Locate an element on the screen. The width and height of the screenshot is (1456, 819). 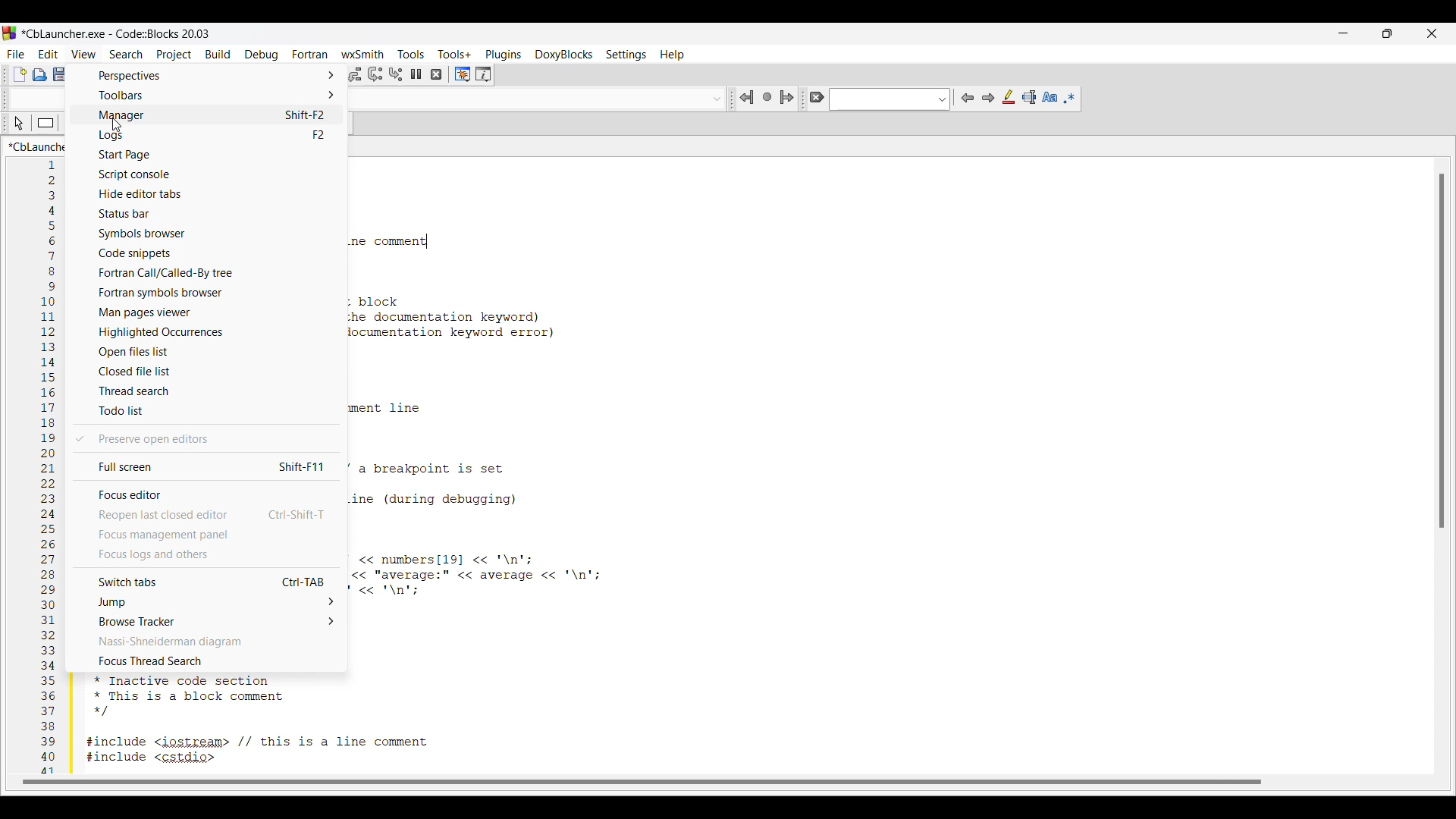
Todo list is located at coordinates (207, 410).